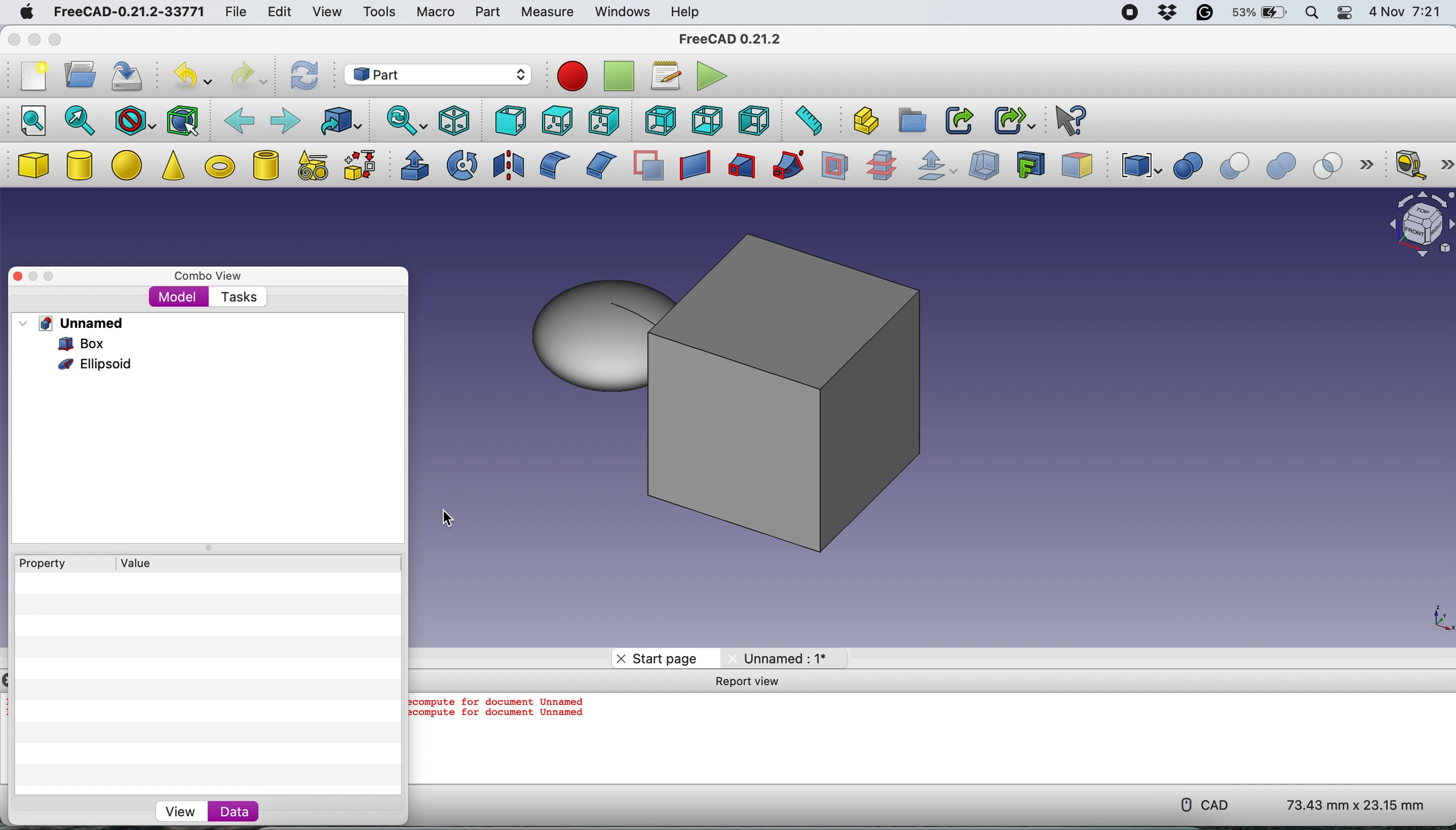 The image size is (1456, 830). What do you see at coordinates (1334, 165) in the screenshot?
I see `intersection` at bounding box center [1334, 165].